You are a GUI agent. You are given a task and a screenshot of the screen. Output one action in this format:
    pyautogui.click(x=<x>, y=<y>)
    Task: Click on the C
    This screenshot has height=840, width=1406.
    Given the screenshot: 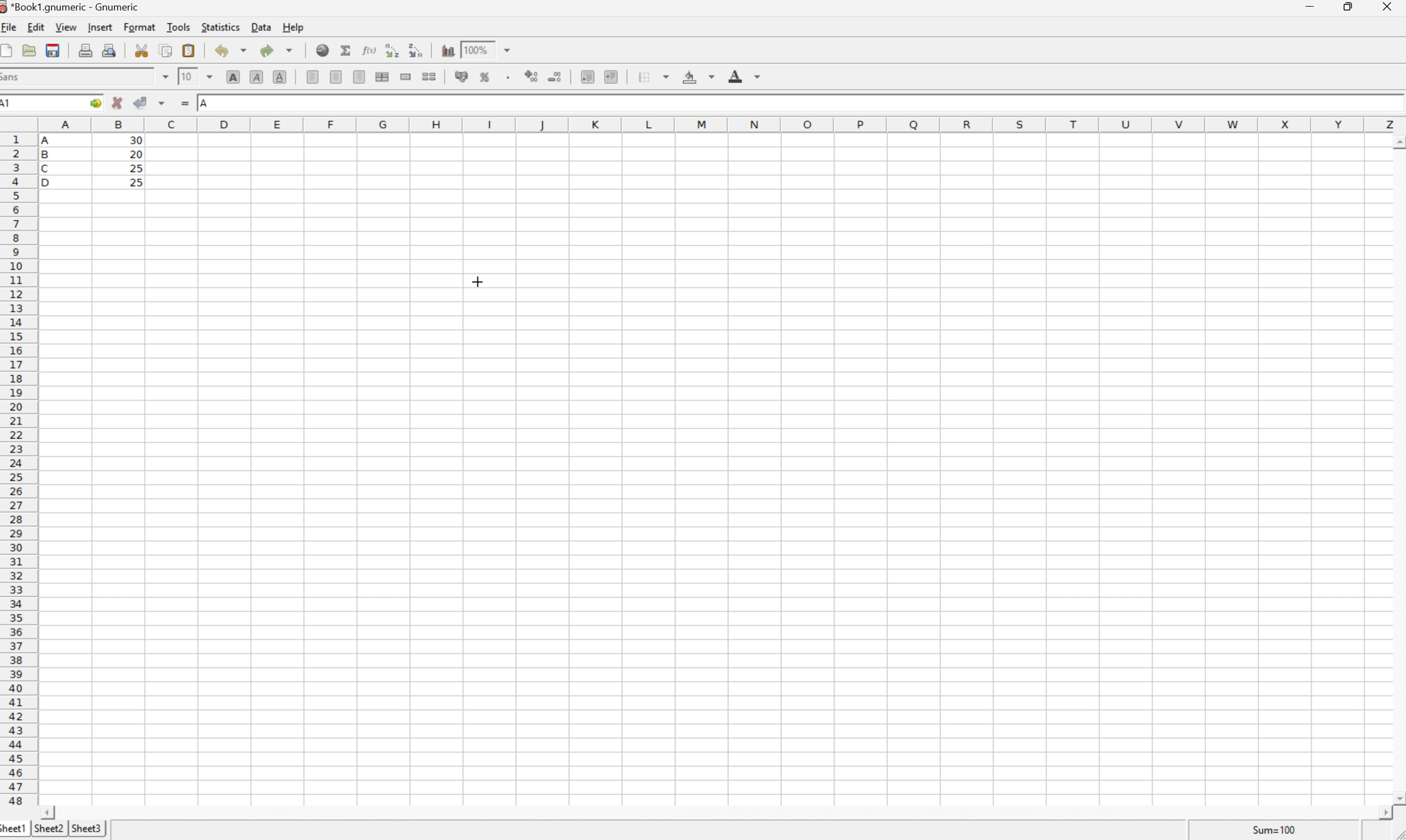 What is the action you would take?
    pyautogui.click(x=48, y=169)
    